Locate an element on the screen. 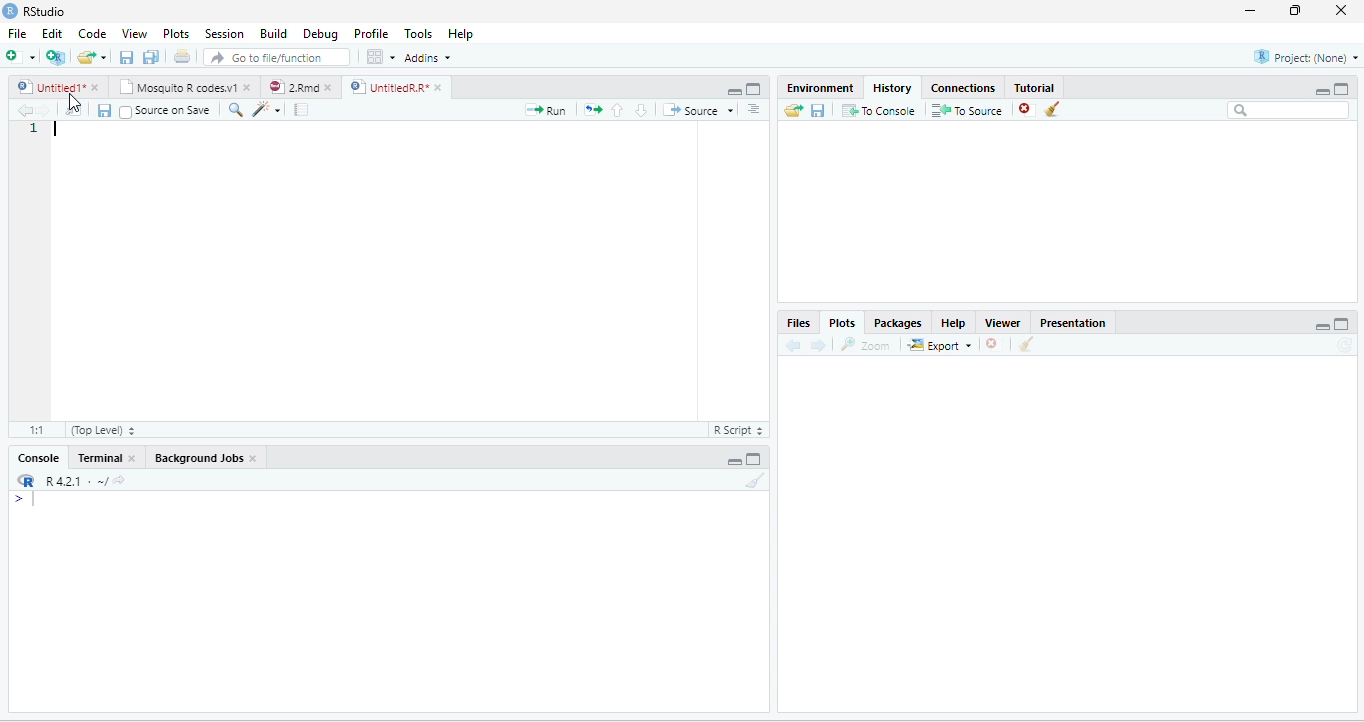 This screenshot has width=1364, height=722. Workspace panes is located at coordinates (379, 56).